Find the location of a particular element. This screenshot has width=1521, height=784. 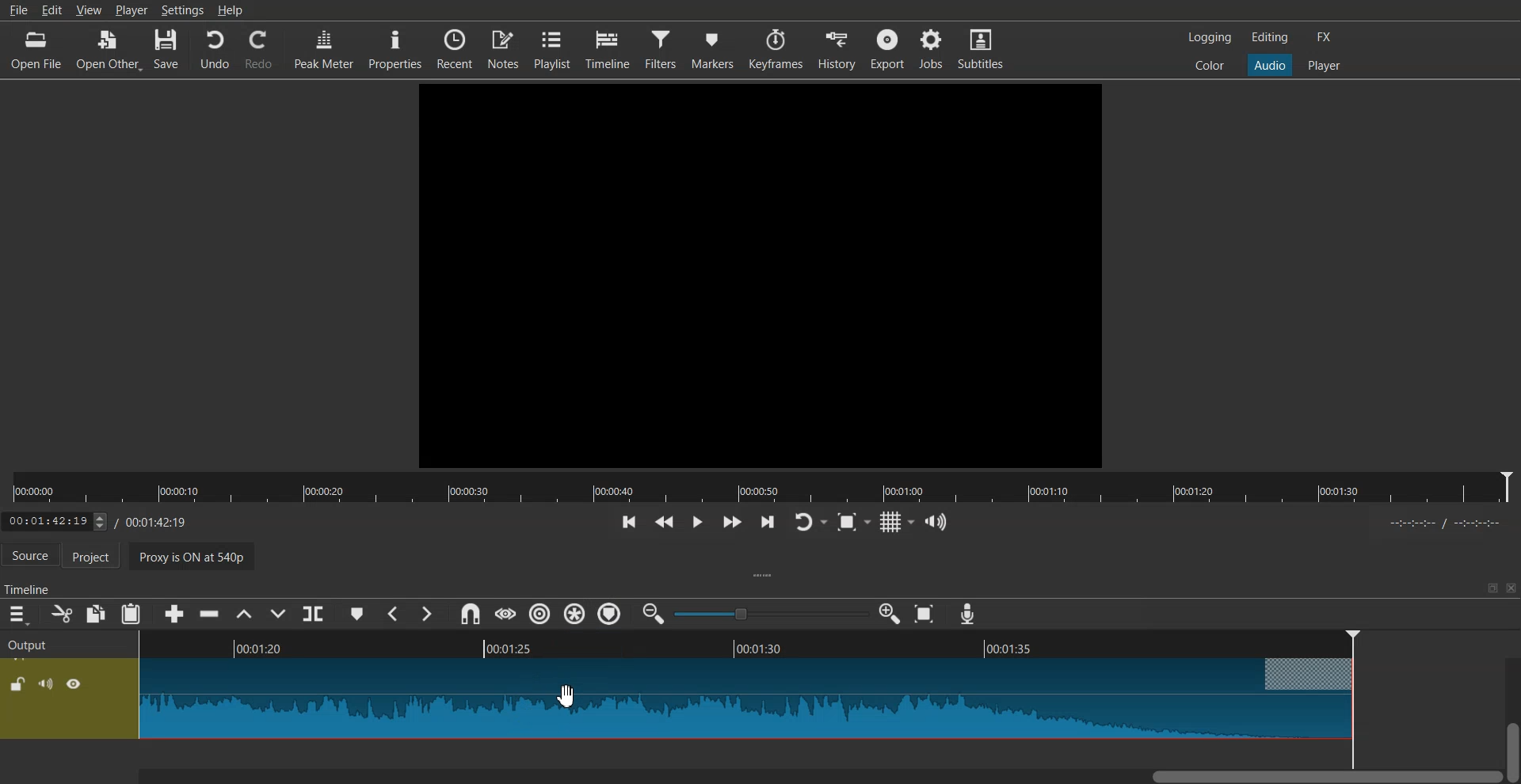

Subtitles is located at coordinates (984, 49).